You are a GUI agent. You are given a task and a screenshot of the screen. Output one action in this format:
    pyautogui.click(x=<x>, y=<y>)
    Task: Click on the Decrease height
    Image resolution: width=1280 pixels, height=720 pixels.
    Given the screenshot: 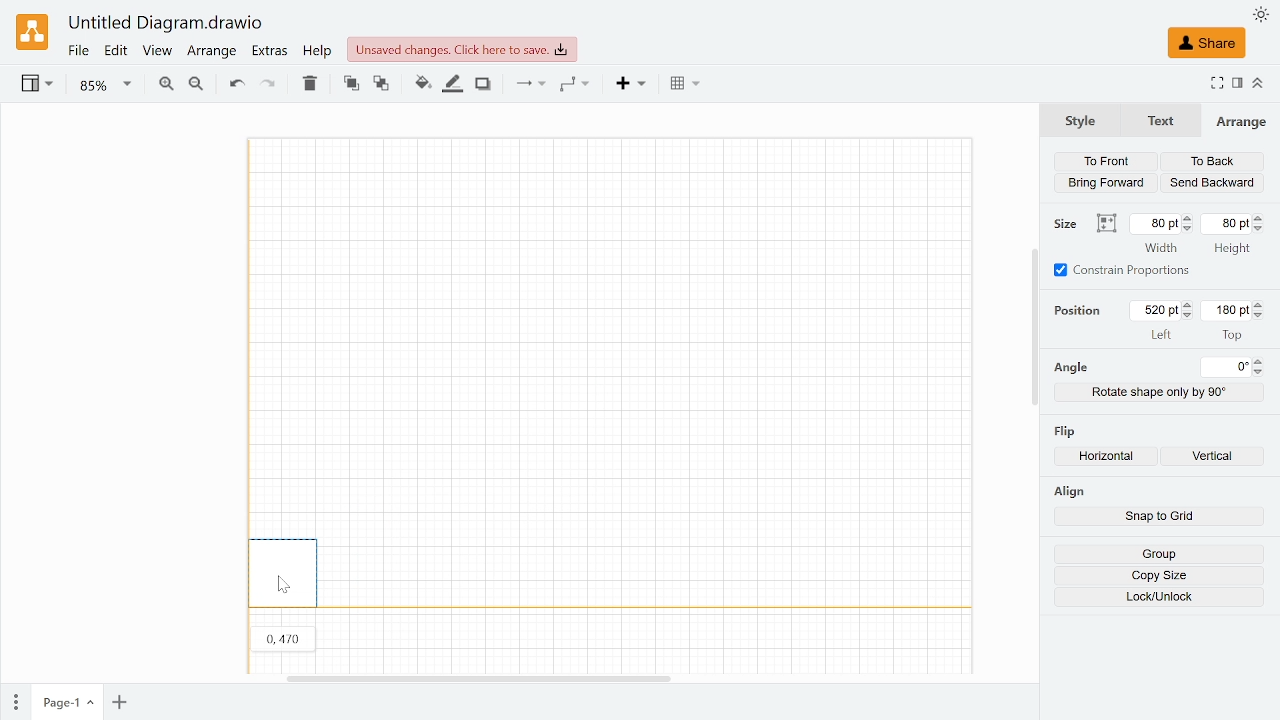 What is the action you would take?
    pyautogui.click(x=1262, y=229)
    